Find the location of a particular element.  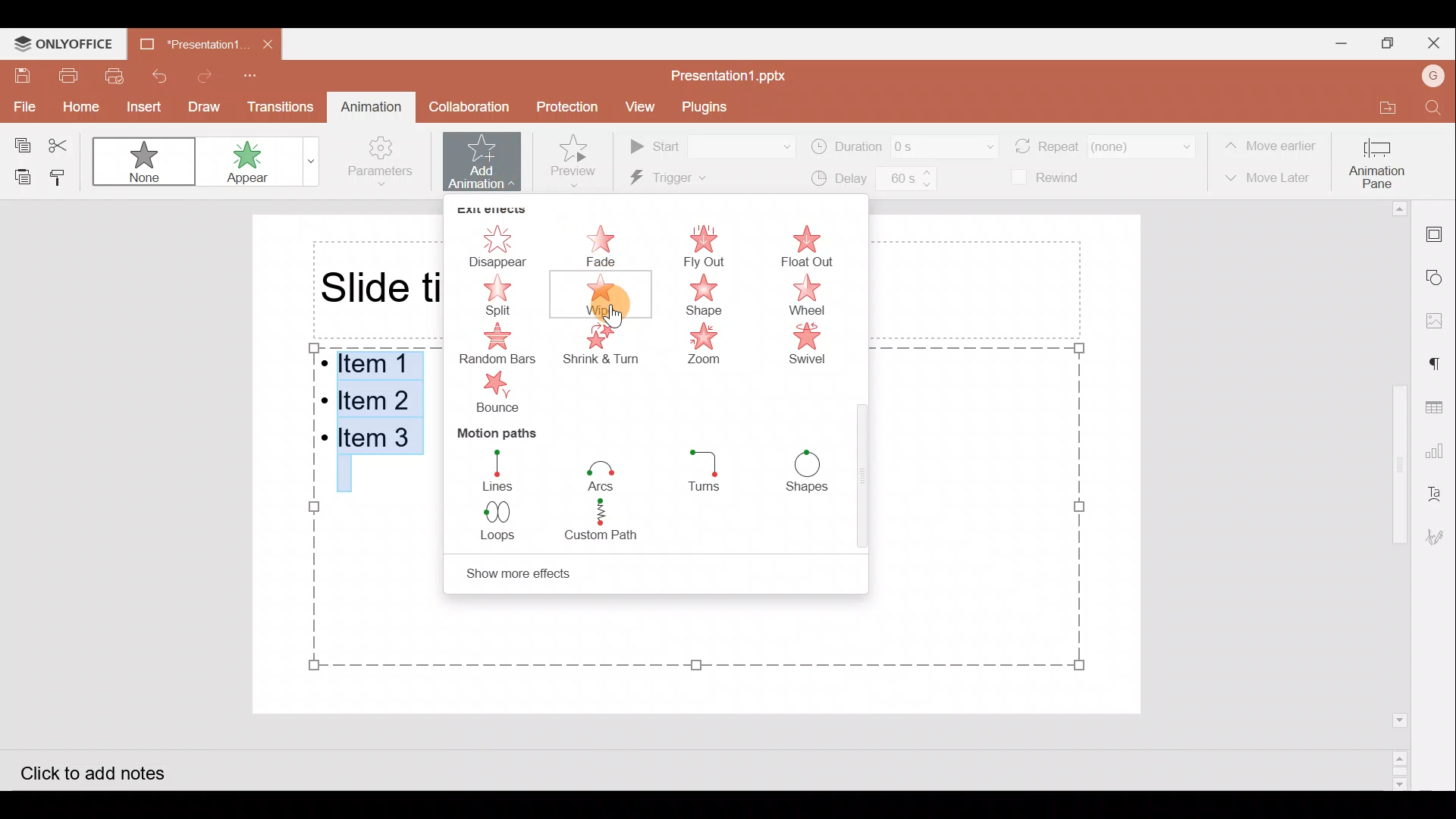

Image settings is located at coordinates (1442, 320).